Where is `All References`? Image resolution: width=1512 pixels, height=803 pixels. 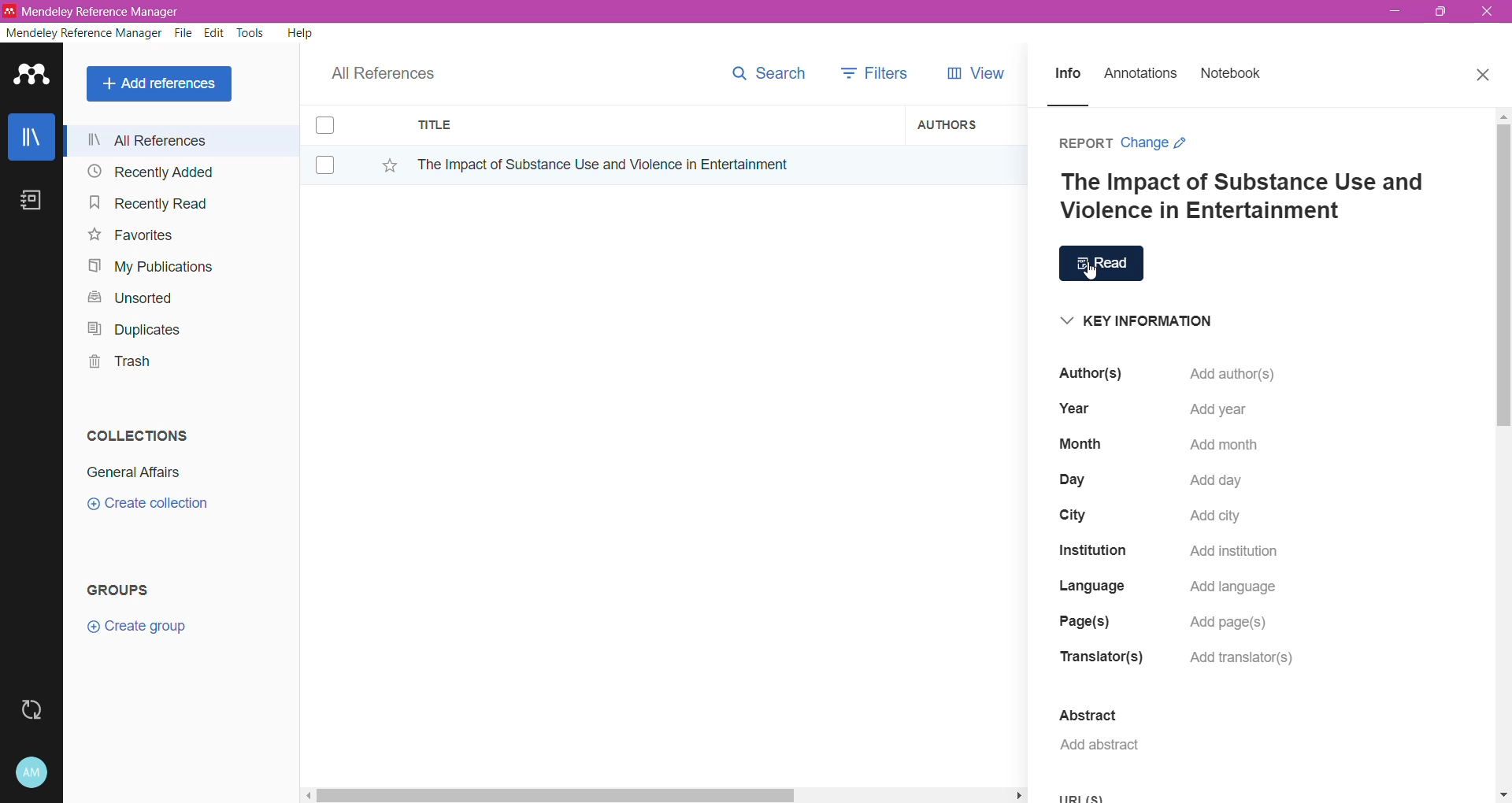
All References is located at coordinates (181, 140).